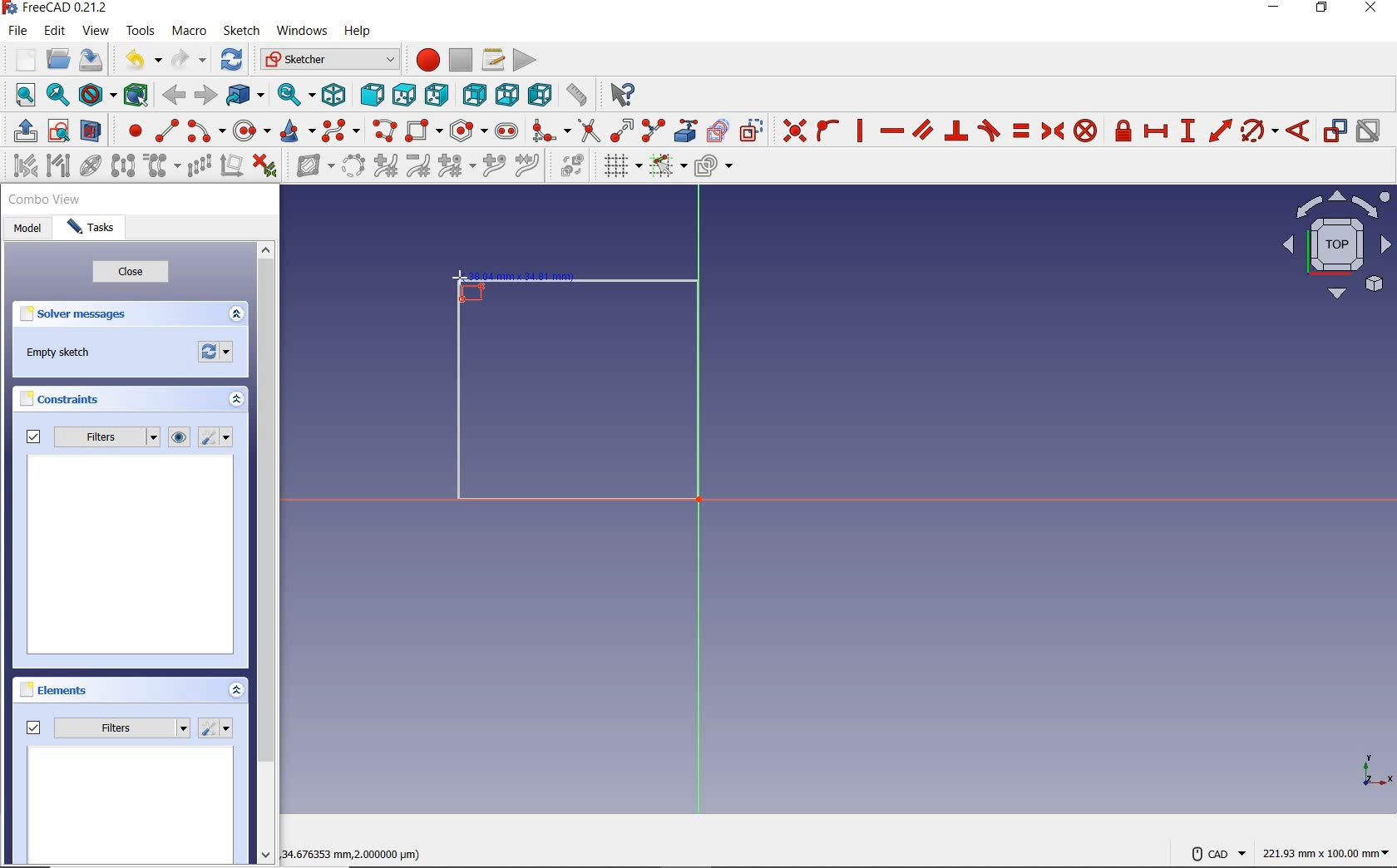 The height and width of the screenshot is (868, 1397). I want to click on create conic, so click(299, 131).